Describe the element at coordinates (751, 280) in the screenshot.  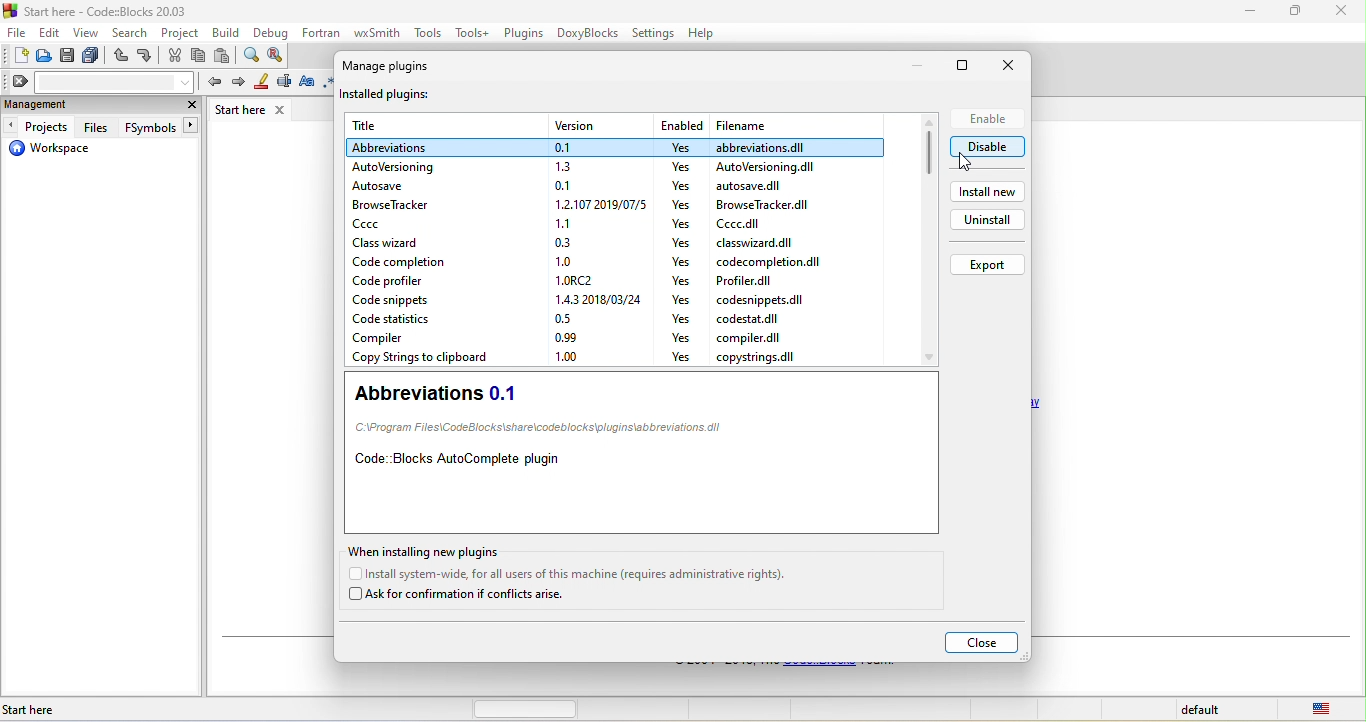
I see `file` at that location.